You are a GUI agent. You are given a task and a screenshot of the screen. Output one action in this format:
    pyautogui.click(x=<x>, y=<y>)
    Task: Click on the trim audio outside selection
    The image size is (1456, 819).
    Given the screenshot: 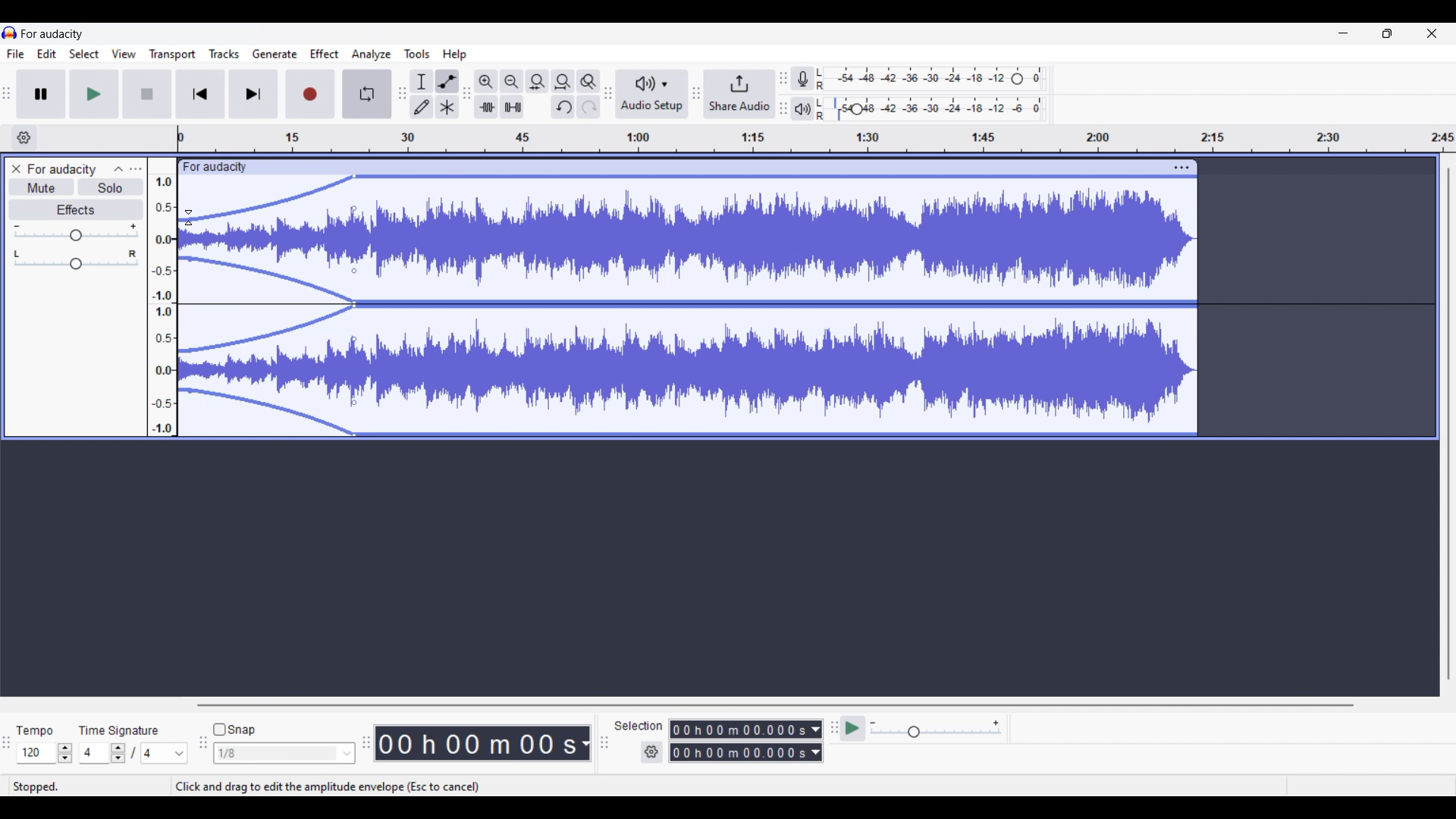 What is the action you would take?
    pyautogui.click(x=486, y=107)
    